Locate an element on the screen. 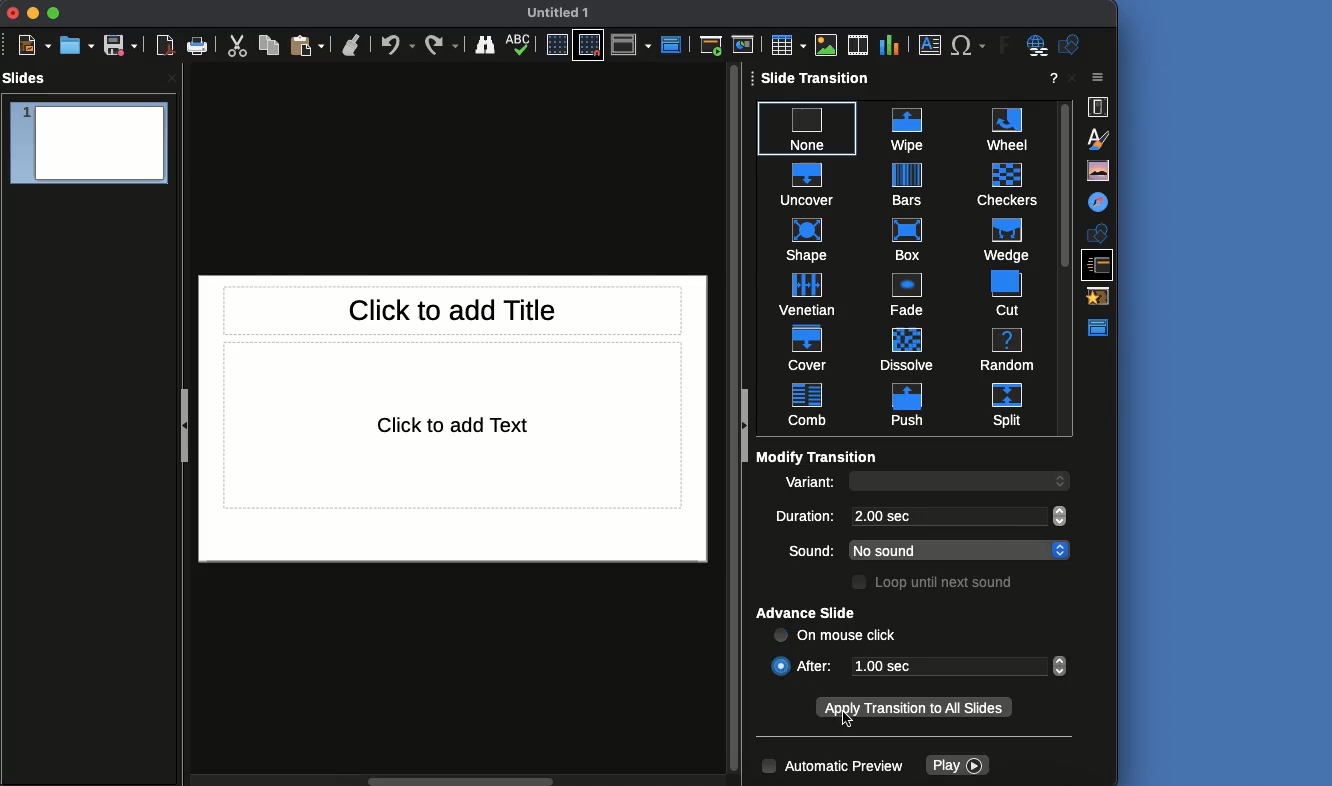 The height and width of the screenshot is (786, 1332). Modify transition is located at coordinates (817, 456).